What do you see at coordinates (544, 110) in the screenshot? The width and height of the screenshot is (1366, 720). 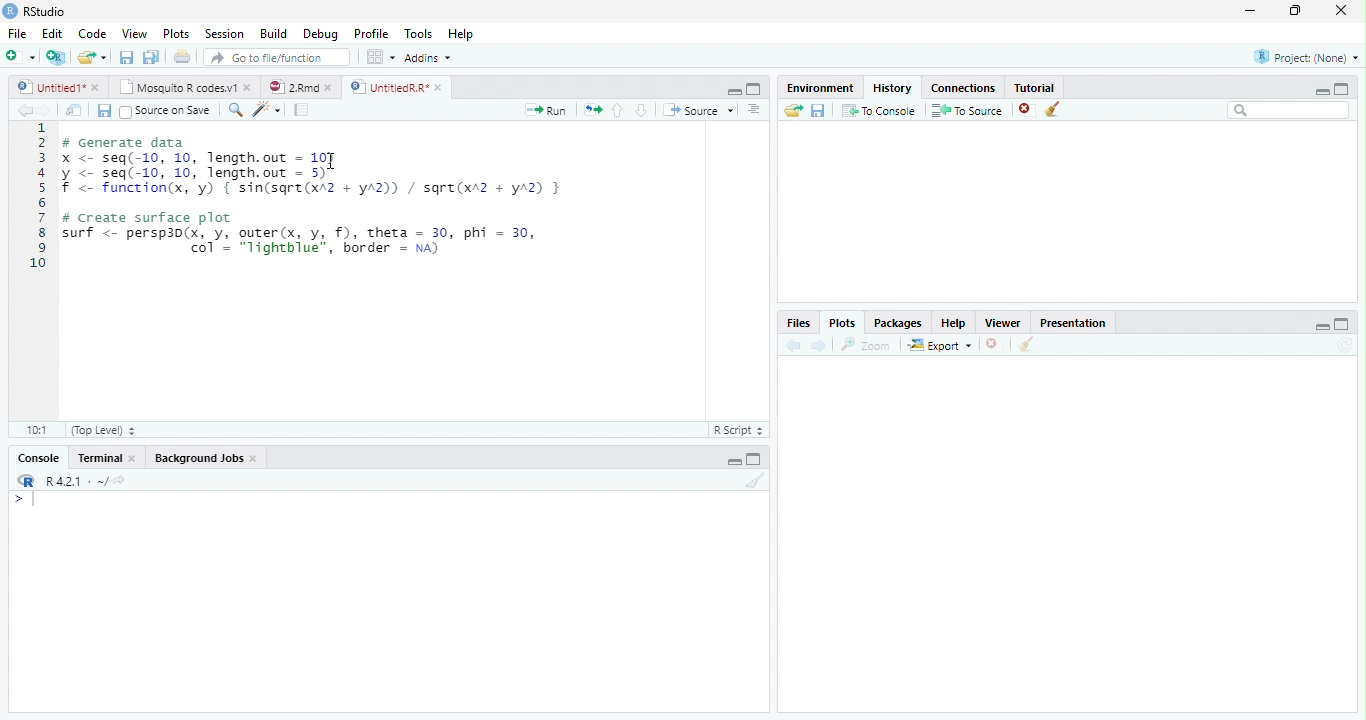 I see `Run` at bounding box center [544, 110].